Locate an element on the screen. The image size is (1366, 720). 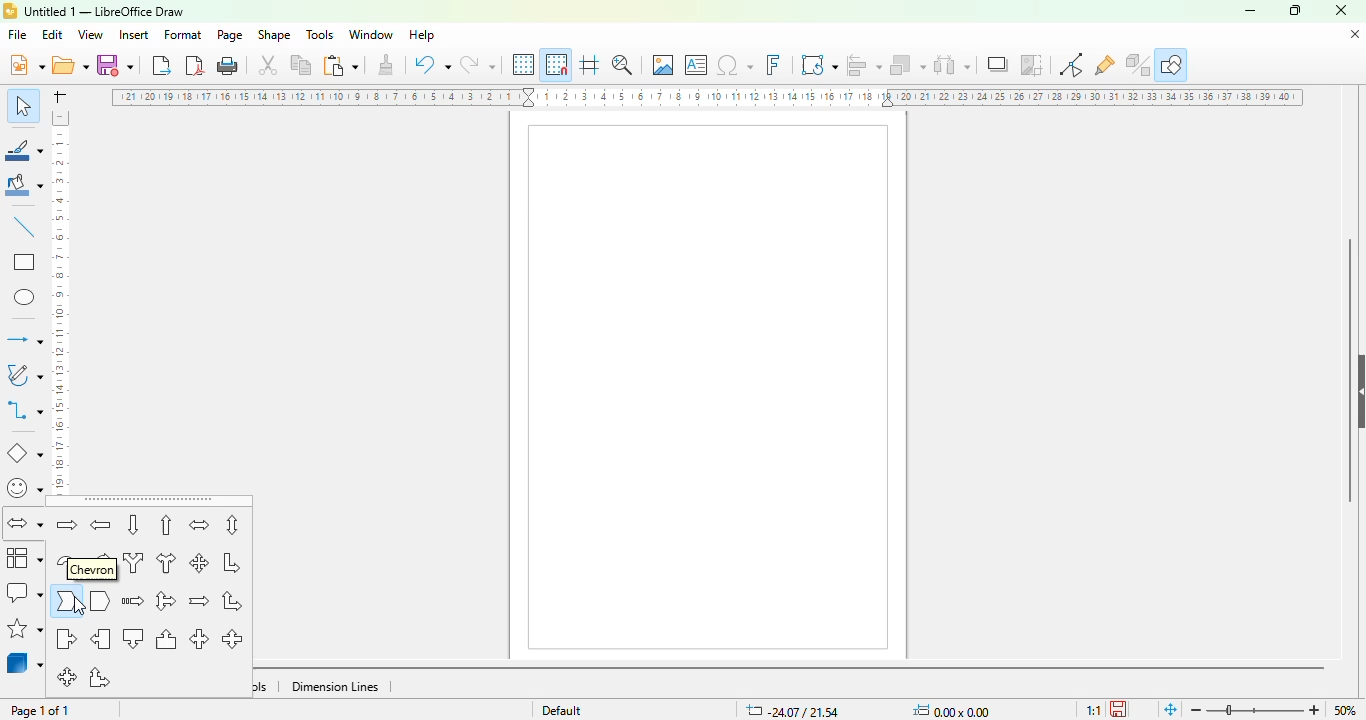
insert image is located at coordinates (663, 64).